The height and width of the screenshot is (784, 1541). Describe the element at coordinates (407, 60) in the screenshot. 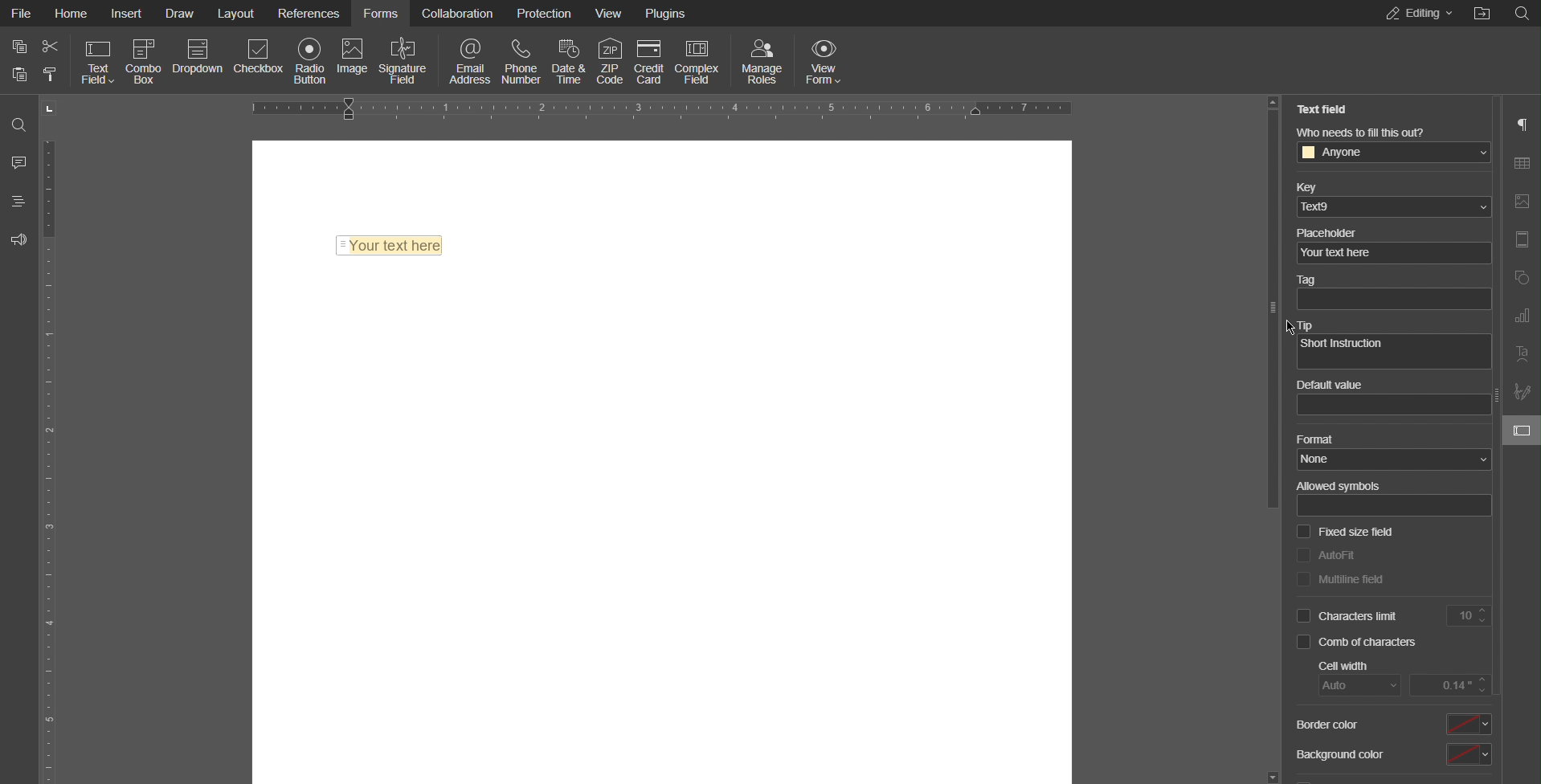

I see `Signature Field` at that location.